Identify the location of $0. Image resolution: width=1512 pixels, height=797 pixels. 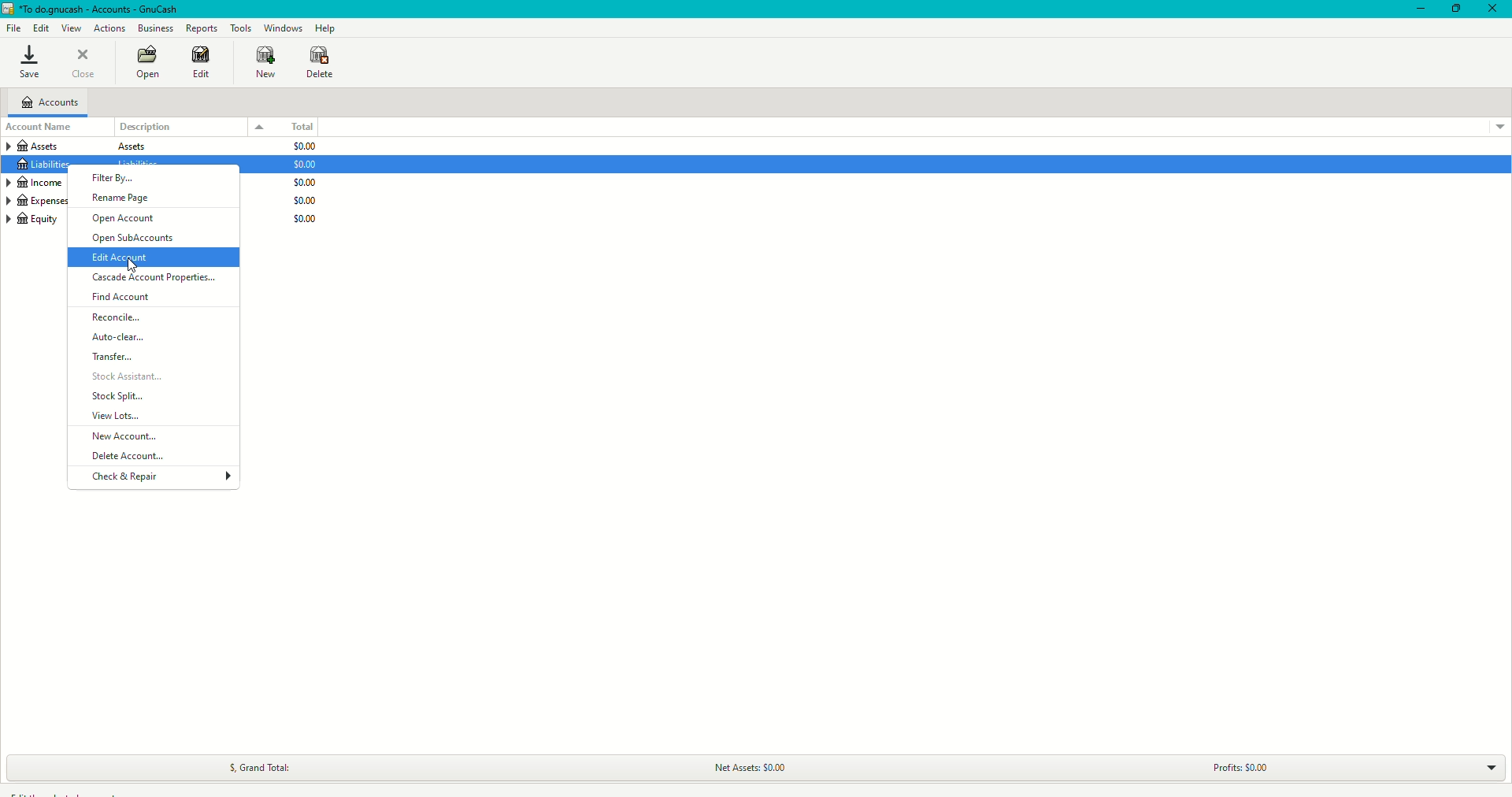
(308, 184).